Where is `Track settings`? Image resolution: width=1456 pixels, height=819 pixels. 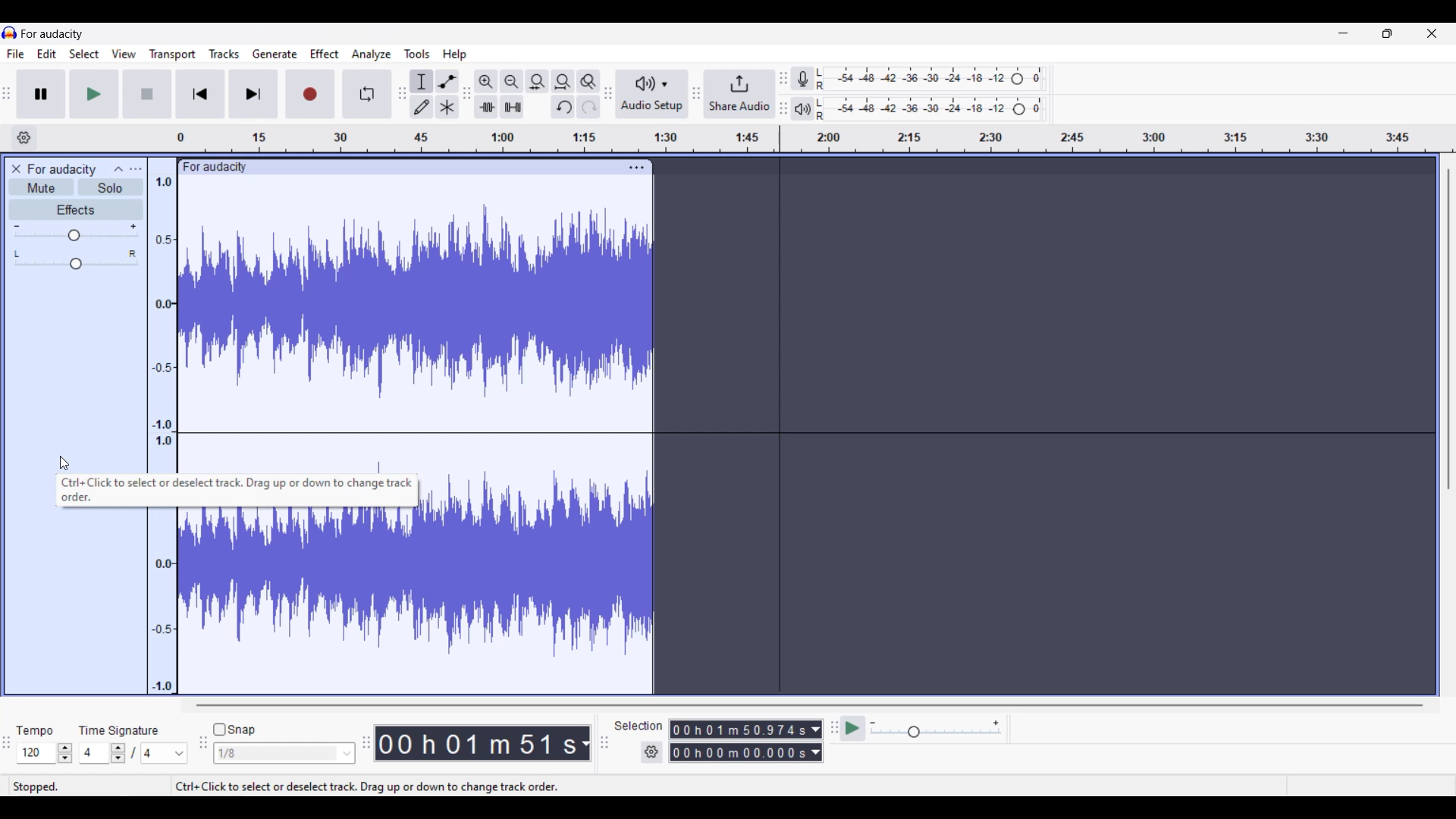 Track settings is located at coordinates (637, 168).